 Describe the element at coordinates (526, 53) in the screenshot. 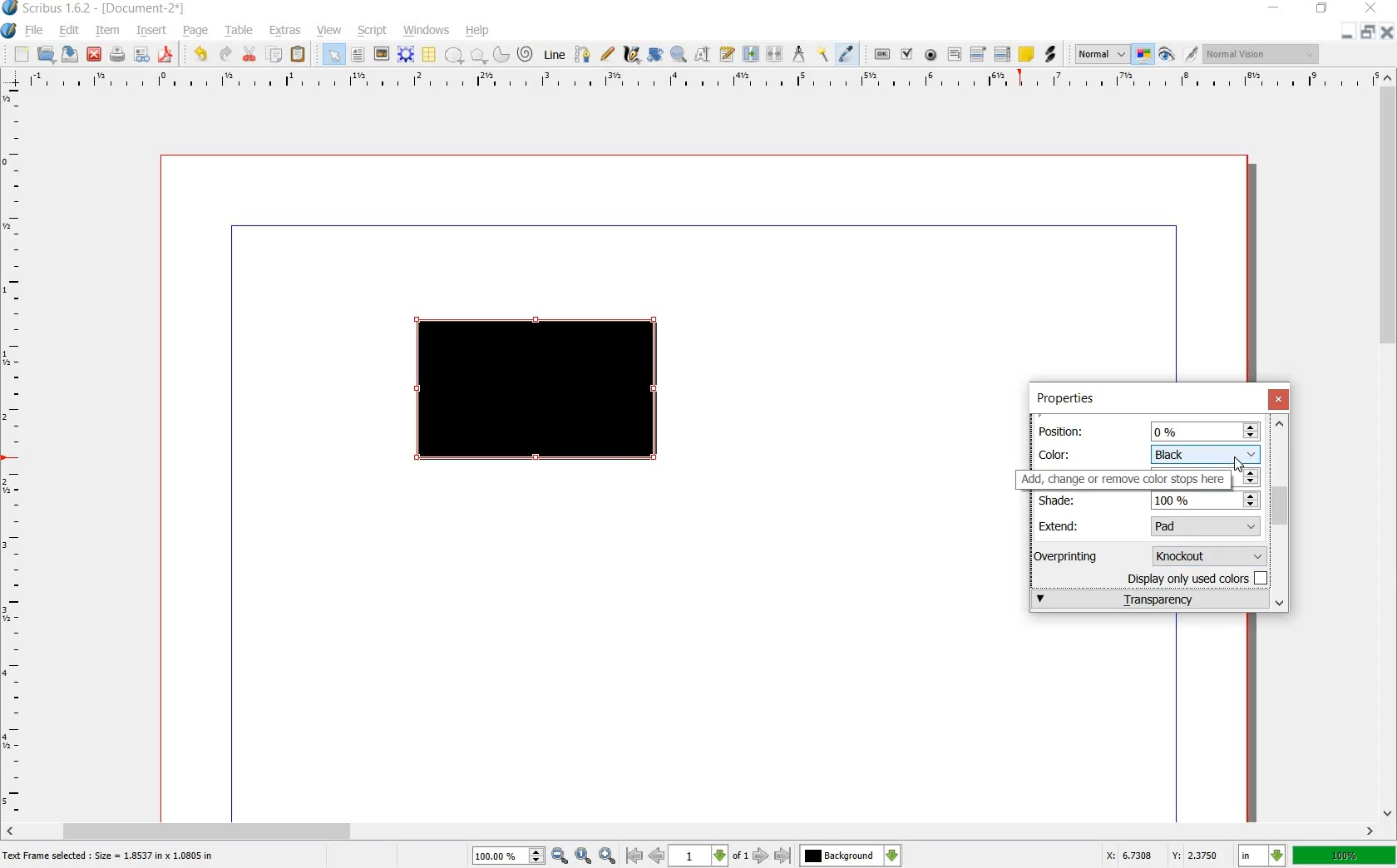

I see `spiral` at that location.